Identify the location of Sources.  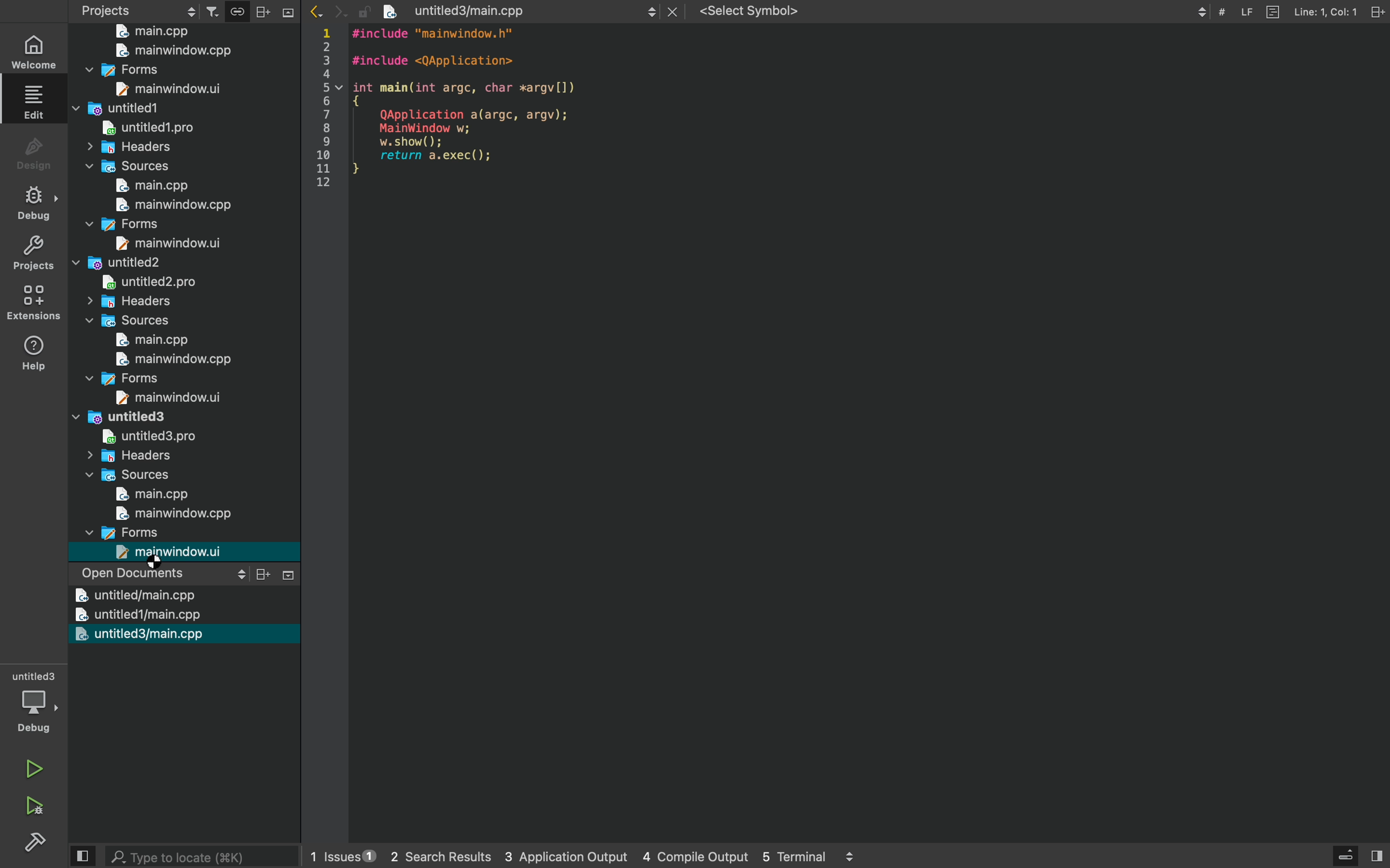
(149, 495).